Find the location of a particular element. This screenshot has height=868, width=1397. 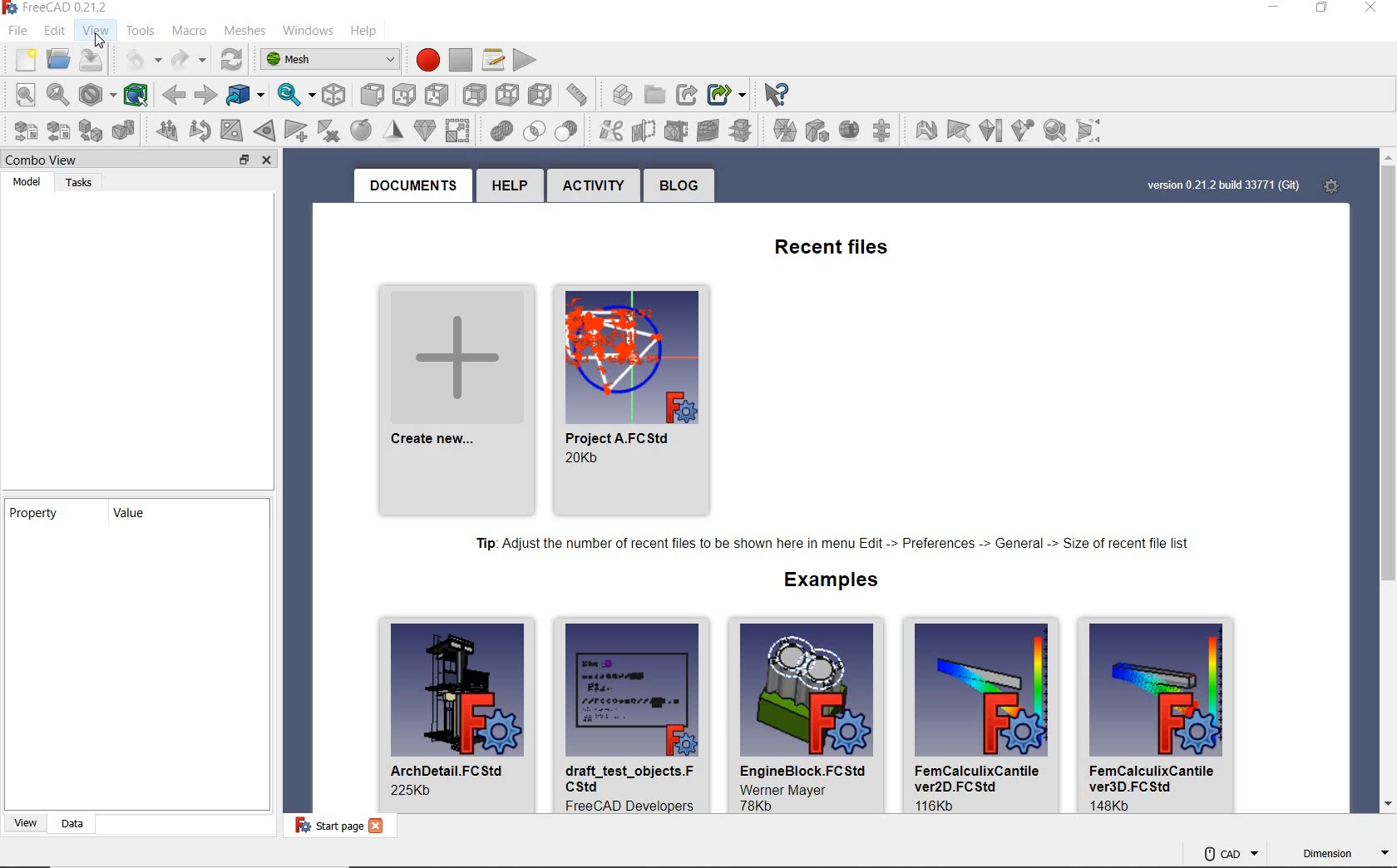

scrollbar is located at coordinates (1386, 484).